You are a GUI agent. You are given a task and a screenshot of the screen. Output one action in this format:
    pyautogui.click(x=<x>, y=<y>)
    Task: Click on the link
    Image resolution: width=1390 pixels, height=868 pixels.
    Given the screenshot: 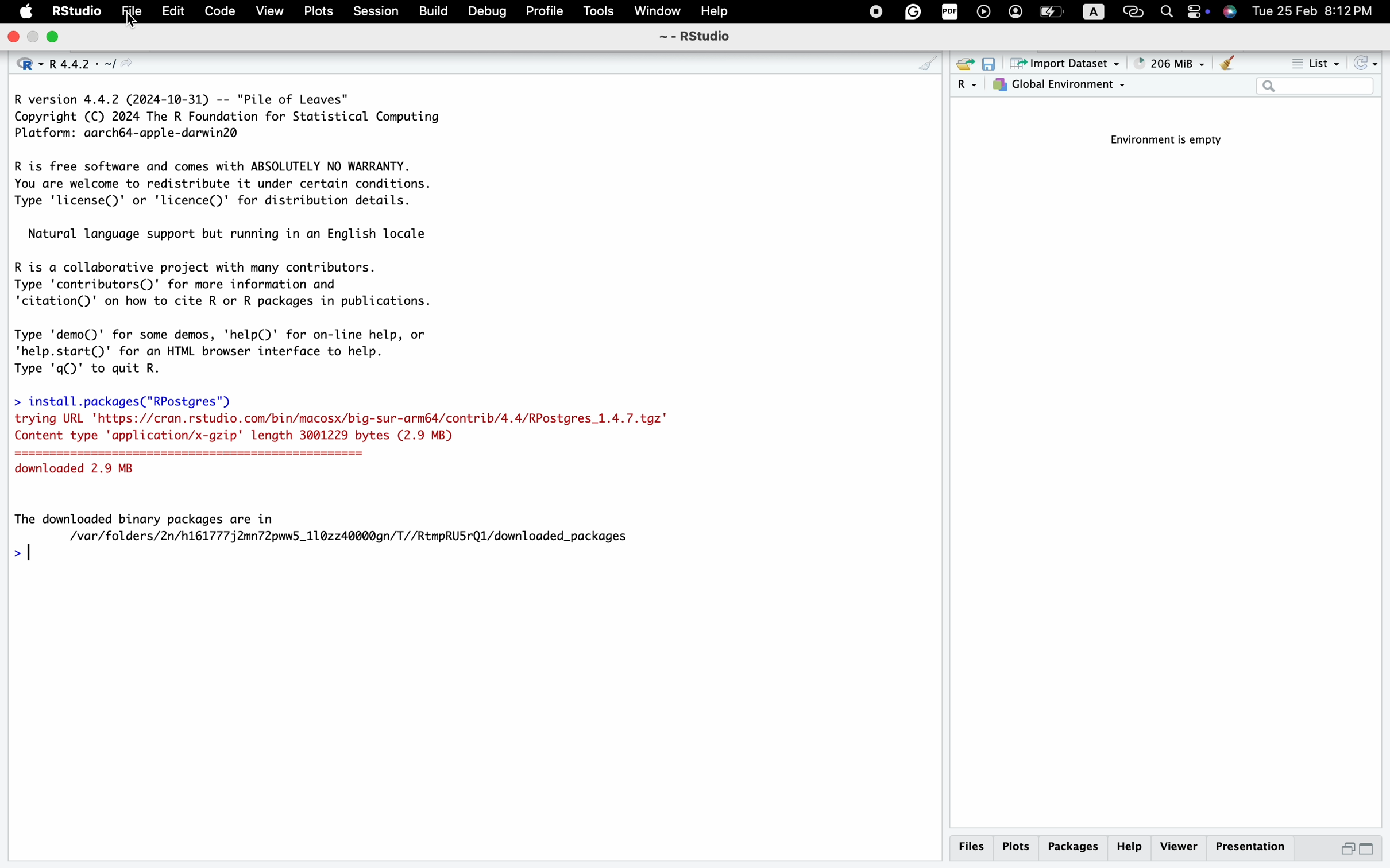 What is the action you would take?
    pyautogui.click(x=1134, y=11)
    